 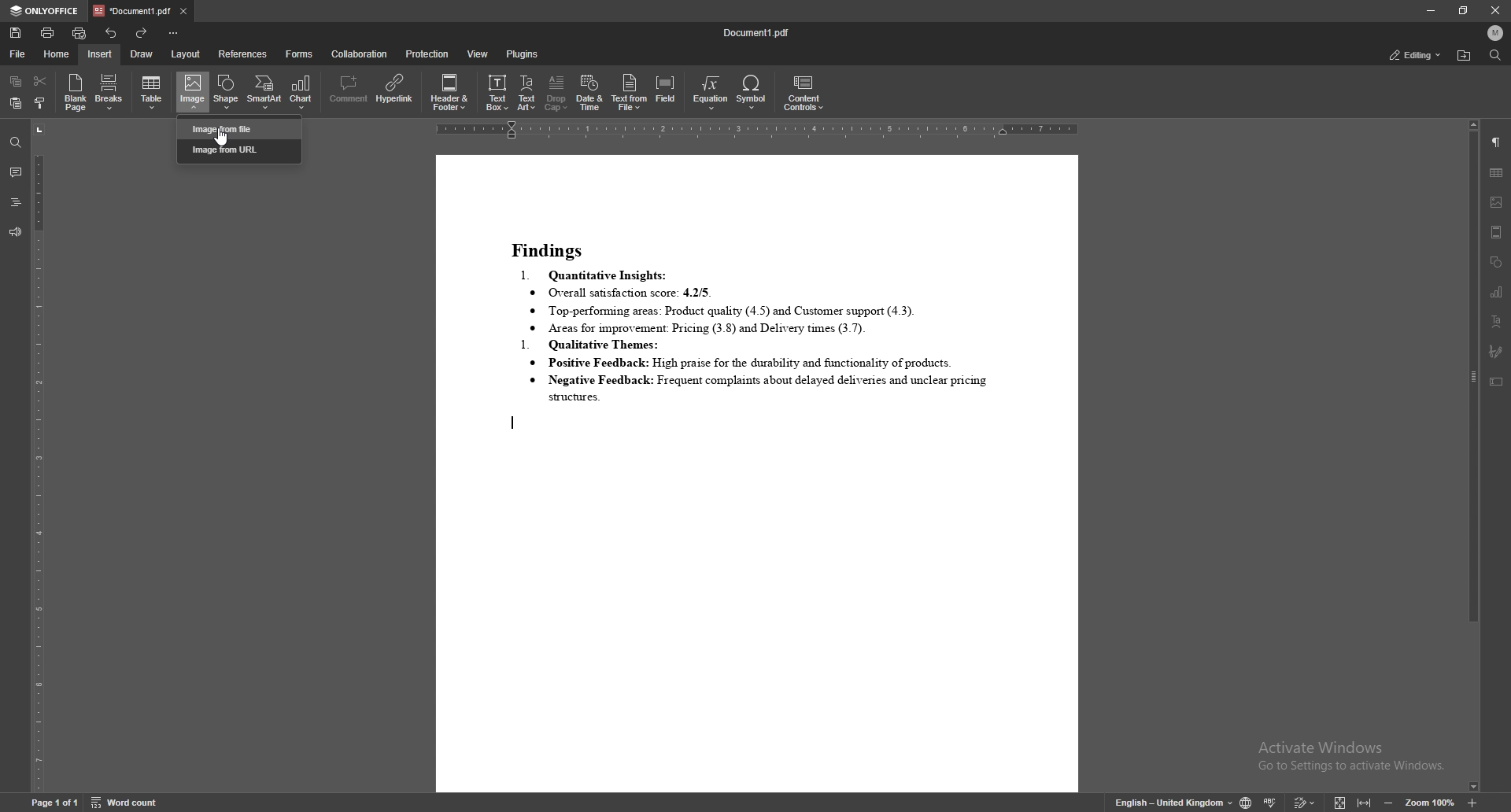 What do you see at coordinates (242, 128) in the screenshot?
I see `image from file` at bounding box center [242, 128].